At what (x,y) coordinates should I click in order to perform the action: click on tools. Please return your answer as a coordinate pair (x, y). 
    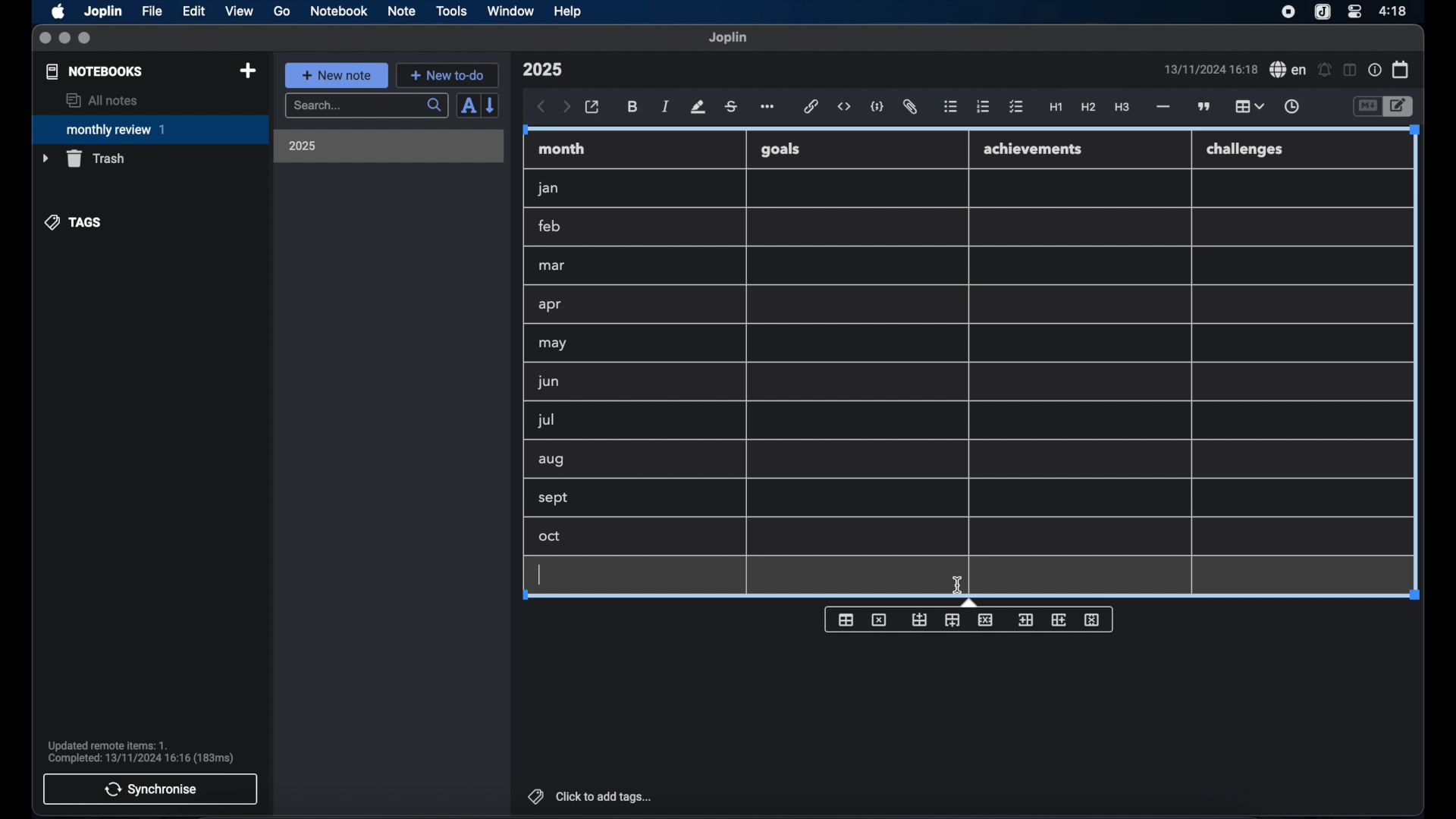
    Looking at the image, I should click on (451, 11).